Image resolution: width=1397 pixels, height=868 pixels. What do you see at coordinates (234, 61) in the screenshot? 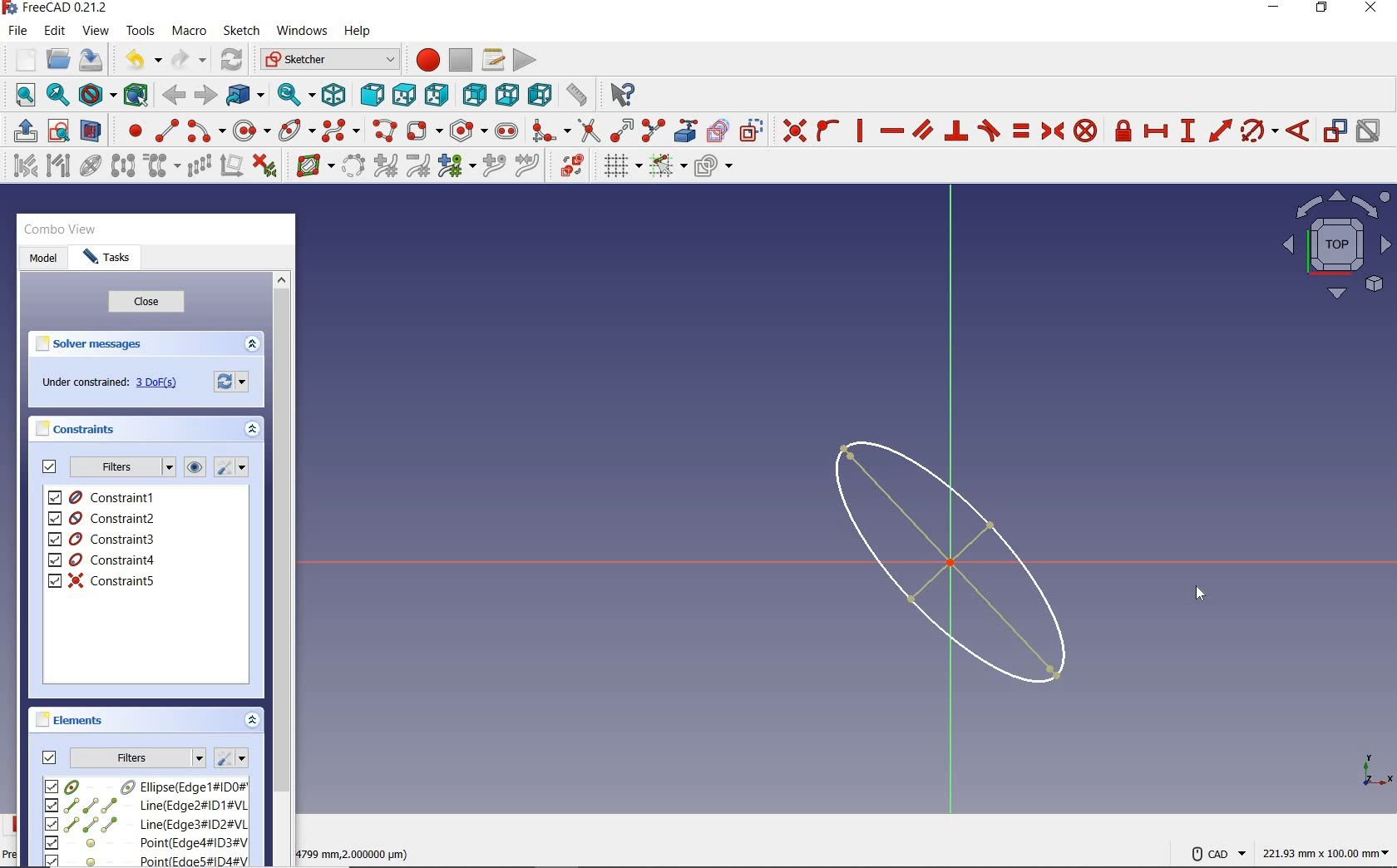
I see `refresh` at bounding box center [234, 61].